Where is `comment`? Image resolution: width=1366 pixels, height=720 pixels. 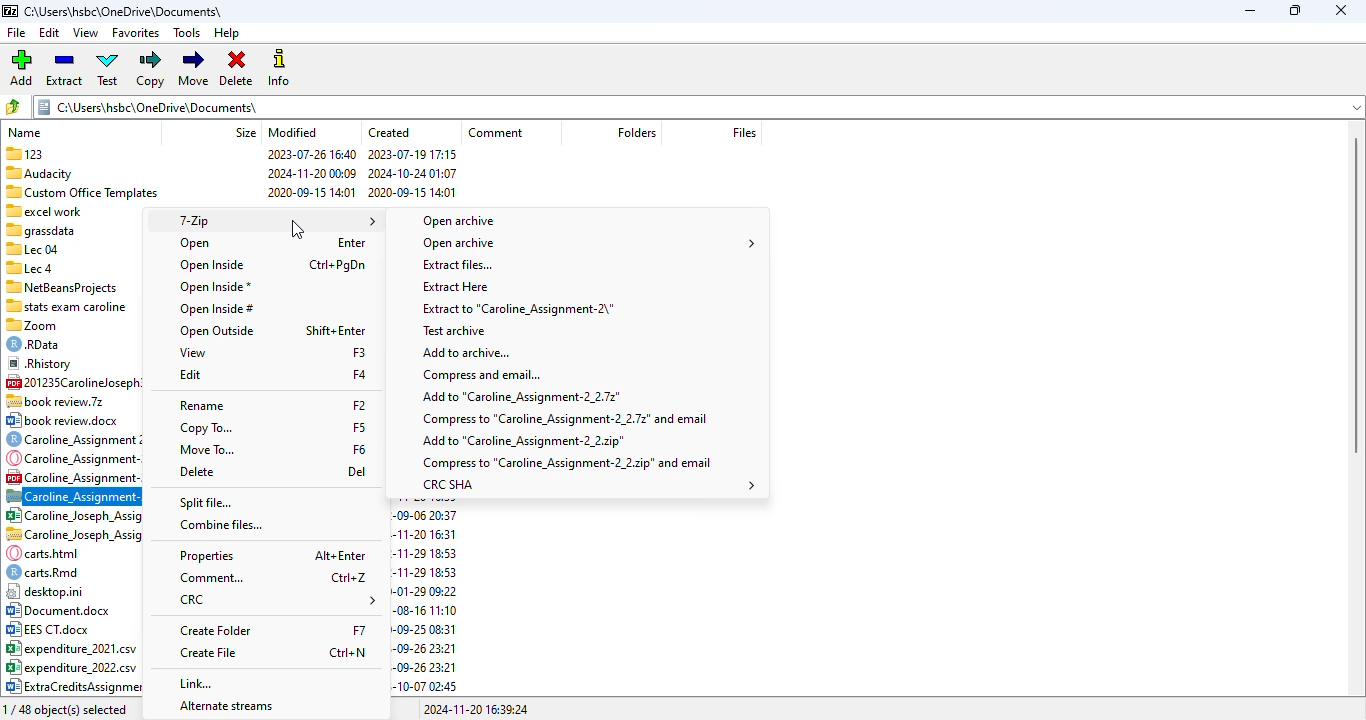 comment is located at coordinates (497, 132).